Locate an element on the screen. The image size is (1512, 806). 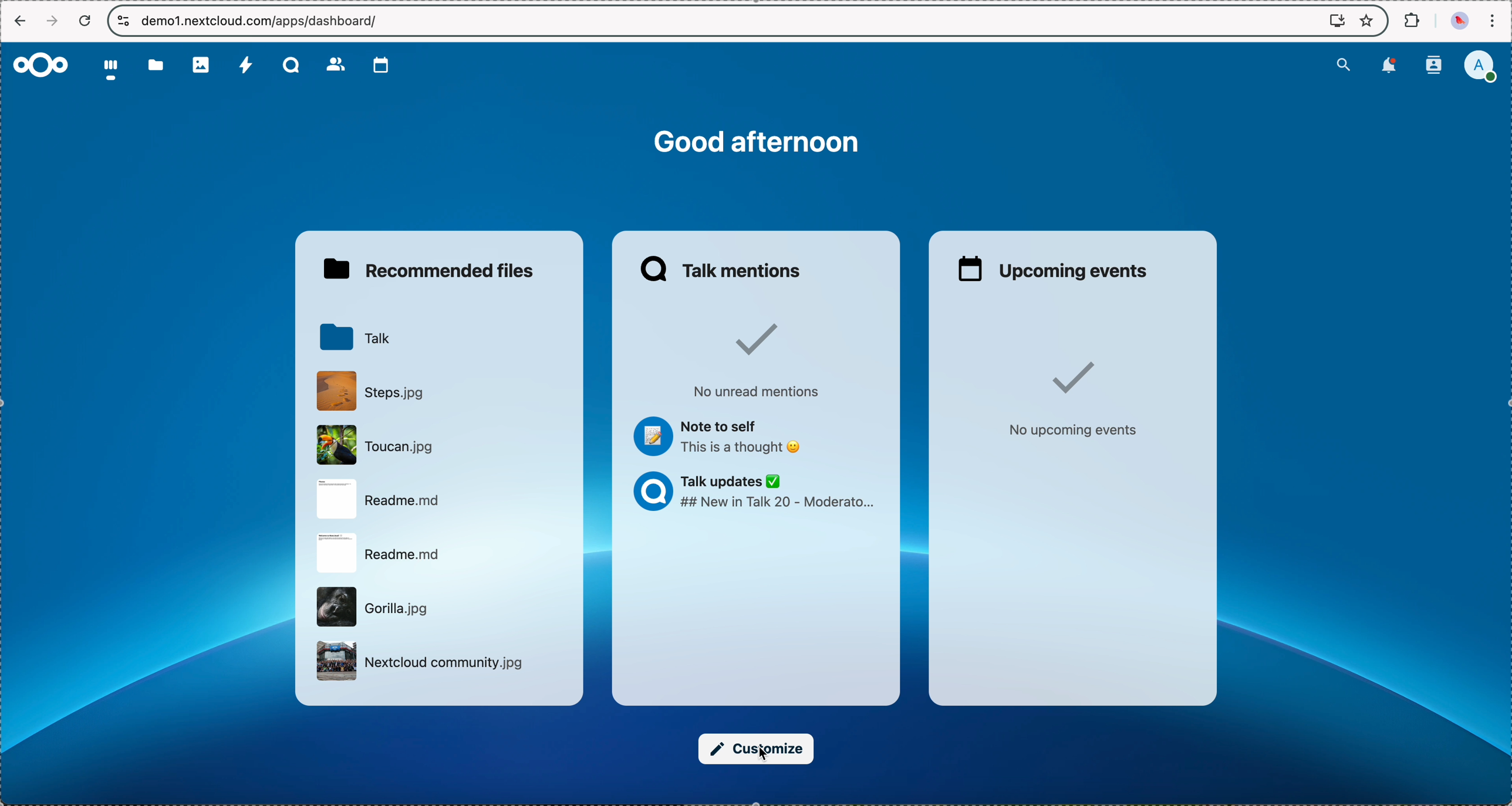
folder is located at coordinates (152, 66).